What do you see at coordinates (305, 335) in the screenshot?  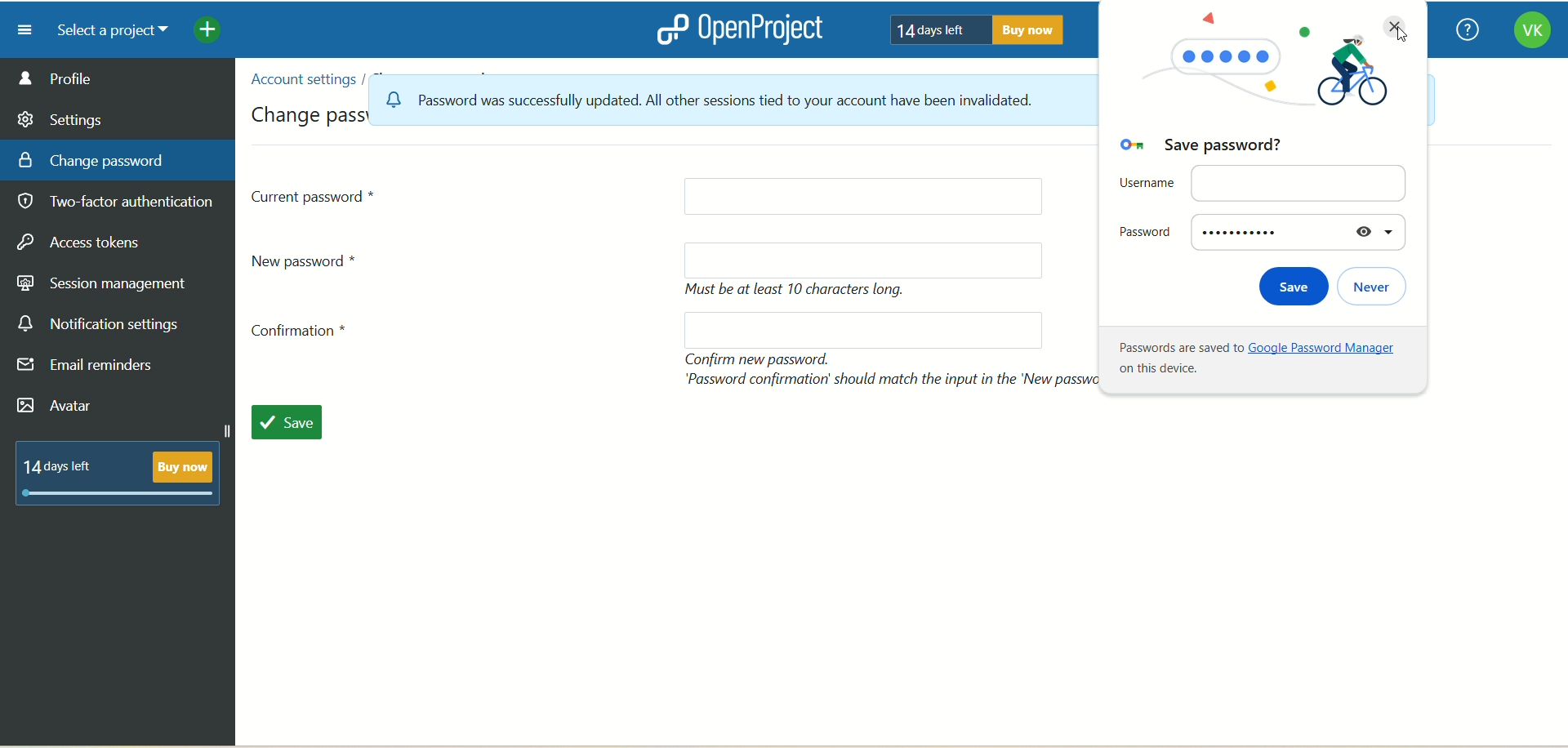 I see `confirmation` at bounding box center [305, 335].